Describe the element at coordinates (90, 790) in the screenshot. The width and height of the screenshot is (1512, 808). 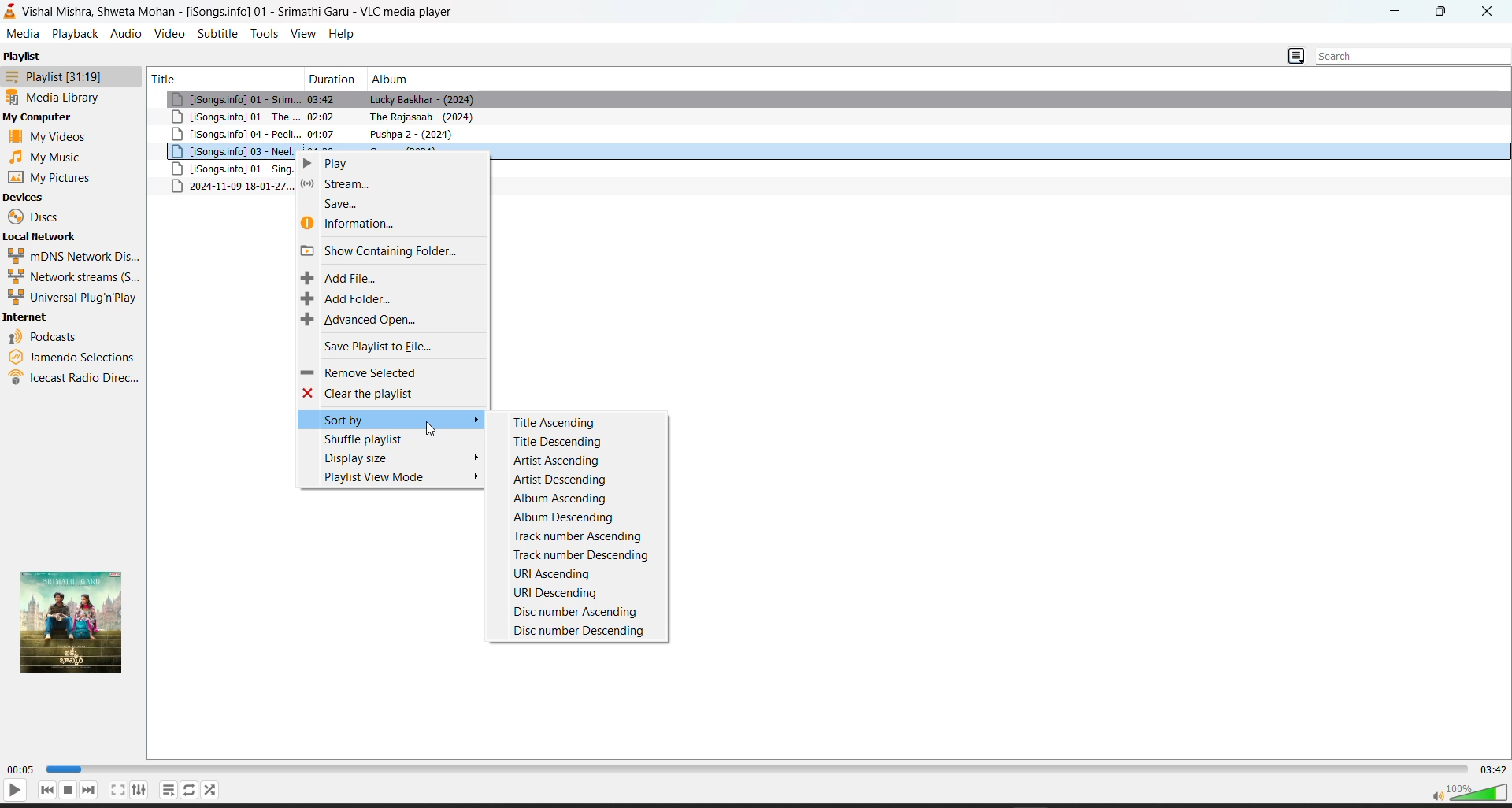
I see `next` at that location.